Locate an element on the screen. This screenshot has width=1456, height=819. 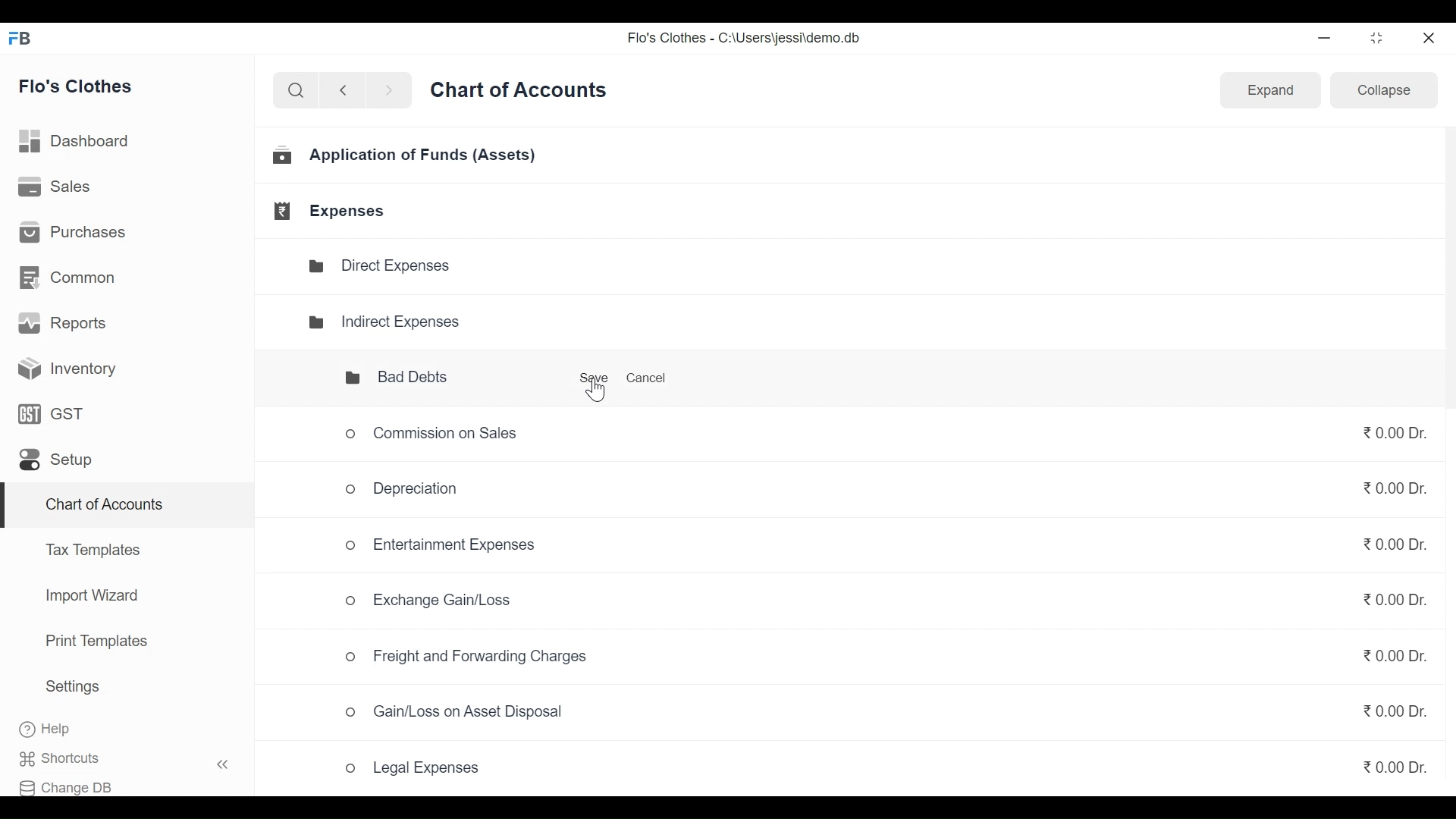
₹0.00 Dr. is located at coordinates (1395, 709).